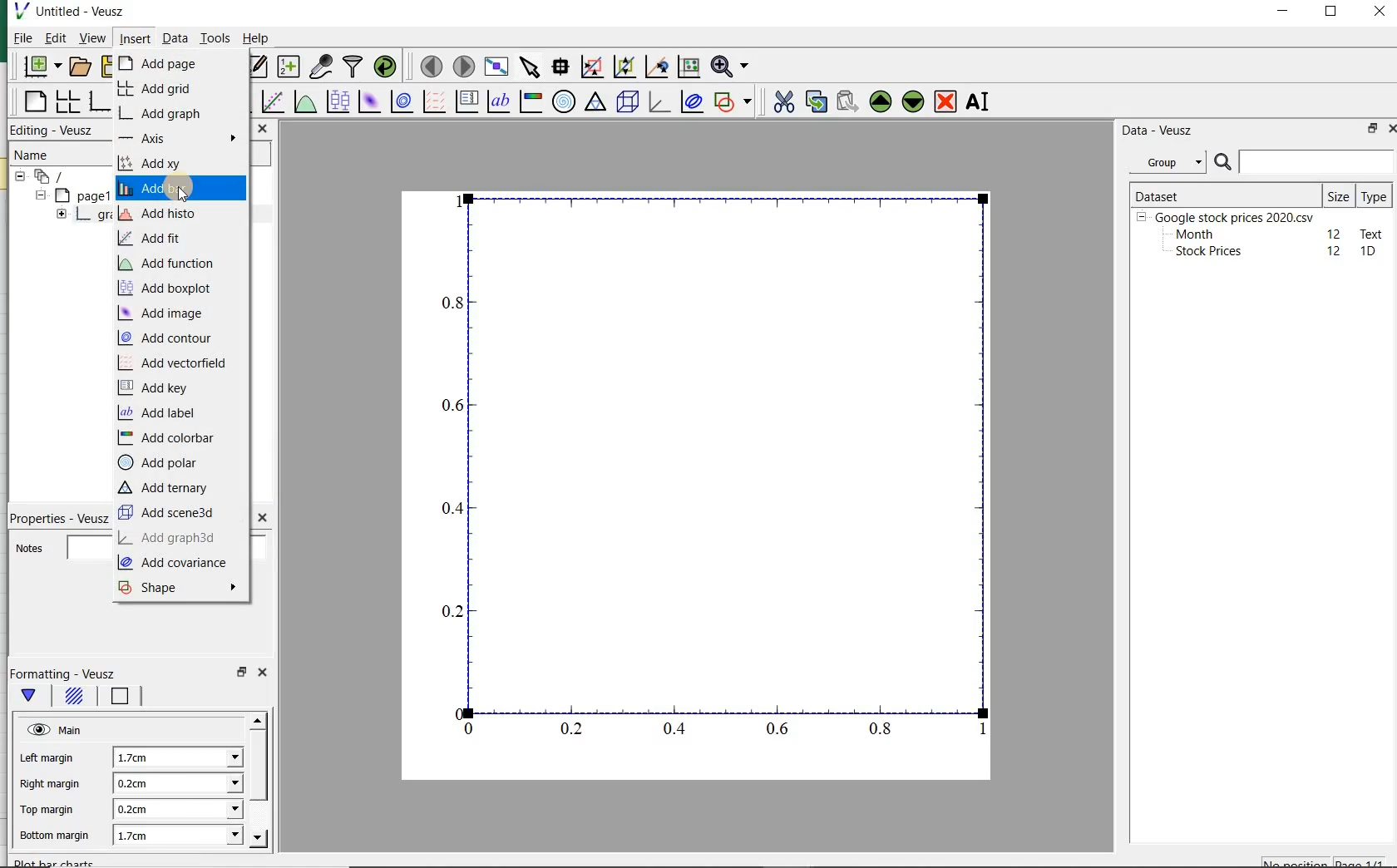 The image size is (1397, 868). Describe the element at coordinates (59, 177) in the screenshot. I see `document` at that location.